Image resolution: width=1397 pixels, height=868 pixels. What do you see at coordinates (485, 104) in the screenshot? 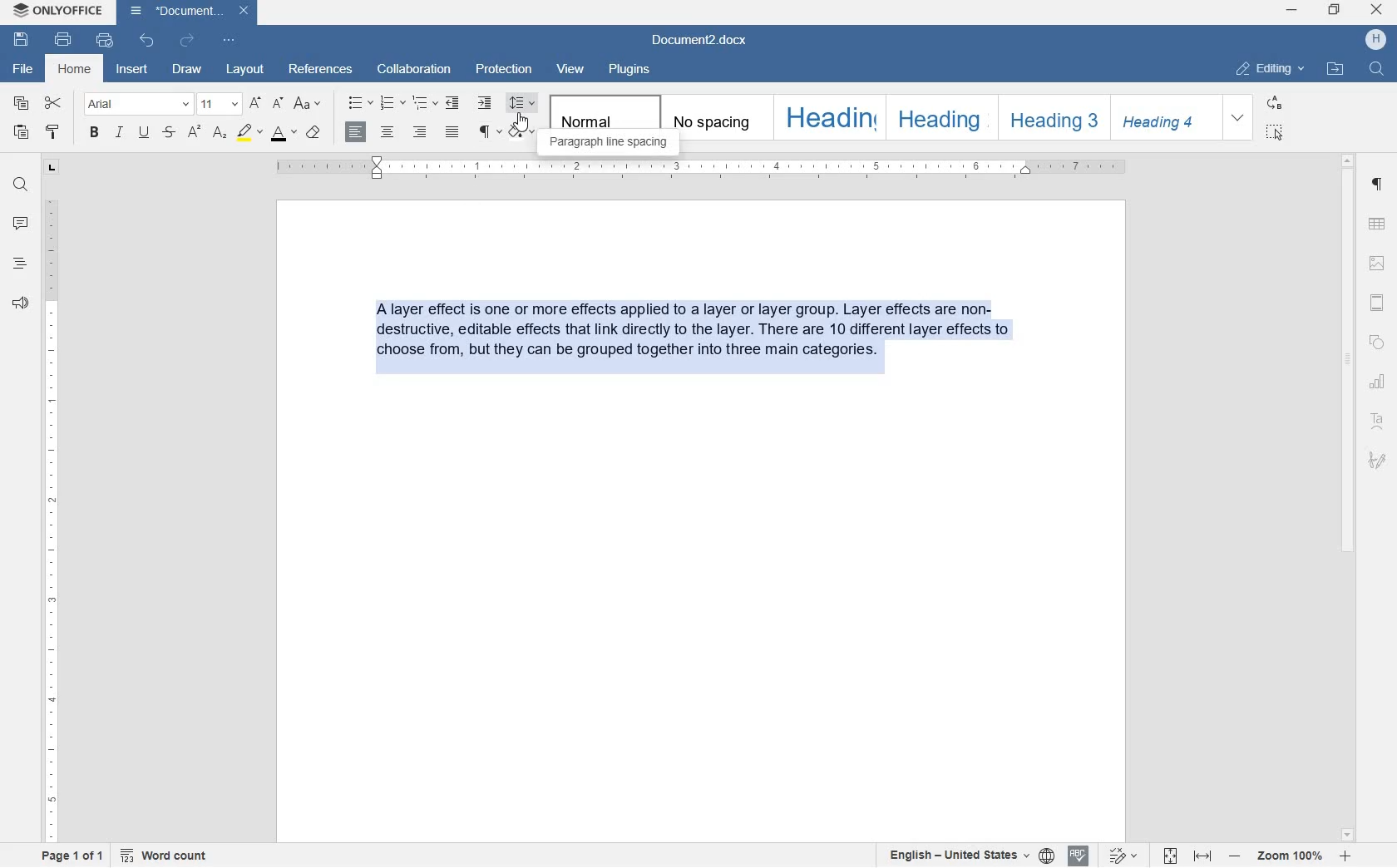
I see `increase indent` at bounding box center [485, 104].